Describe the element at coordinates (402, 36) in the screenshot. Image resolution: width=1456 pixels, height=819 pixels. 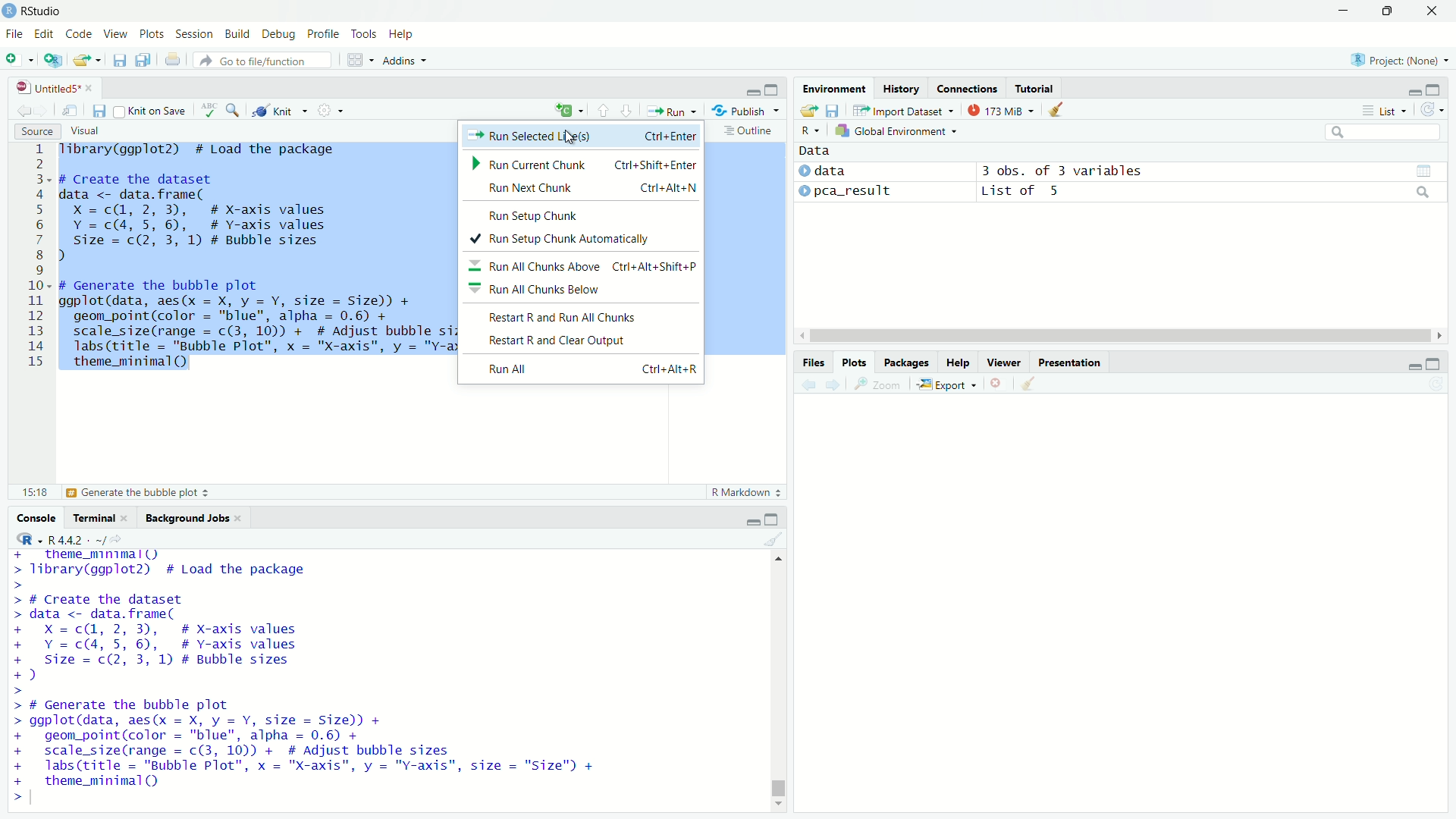
I see `help` at that location.